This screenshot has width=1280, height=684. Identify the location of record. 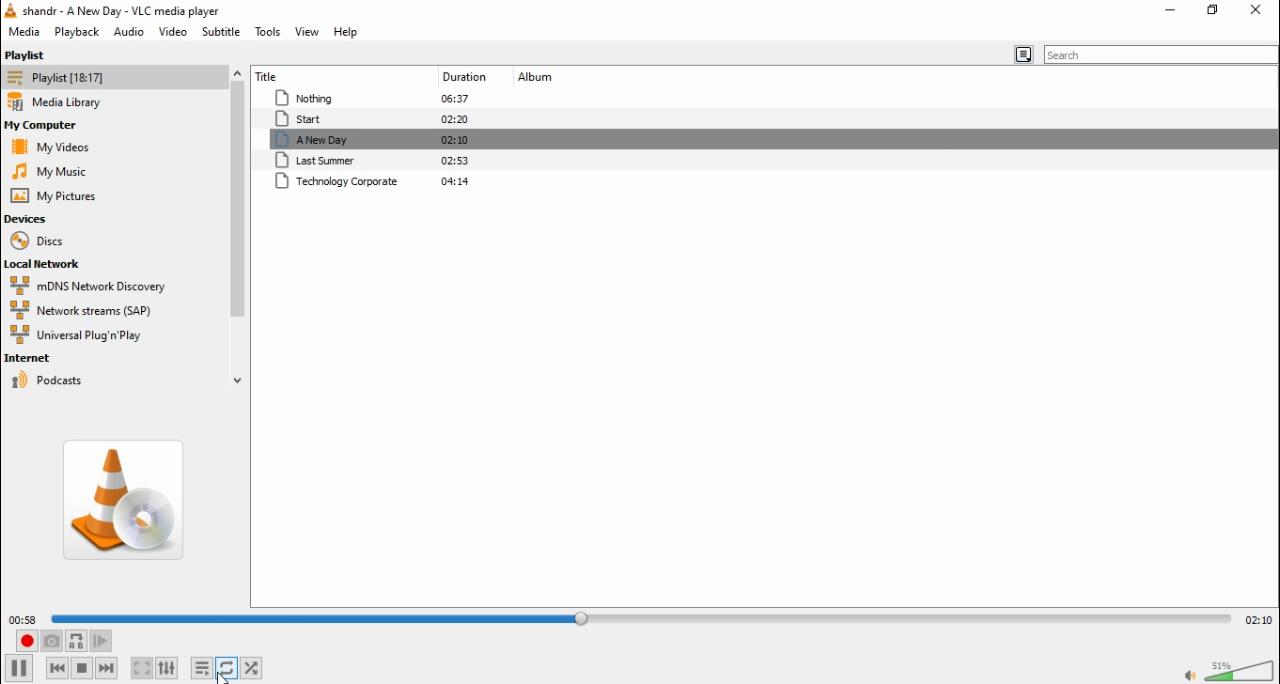
(26, 642).